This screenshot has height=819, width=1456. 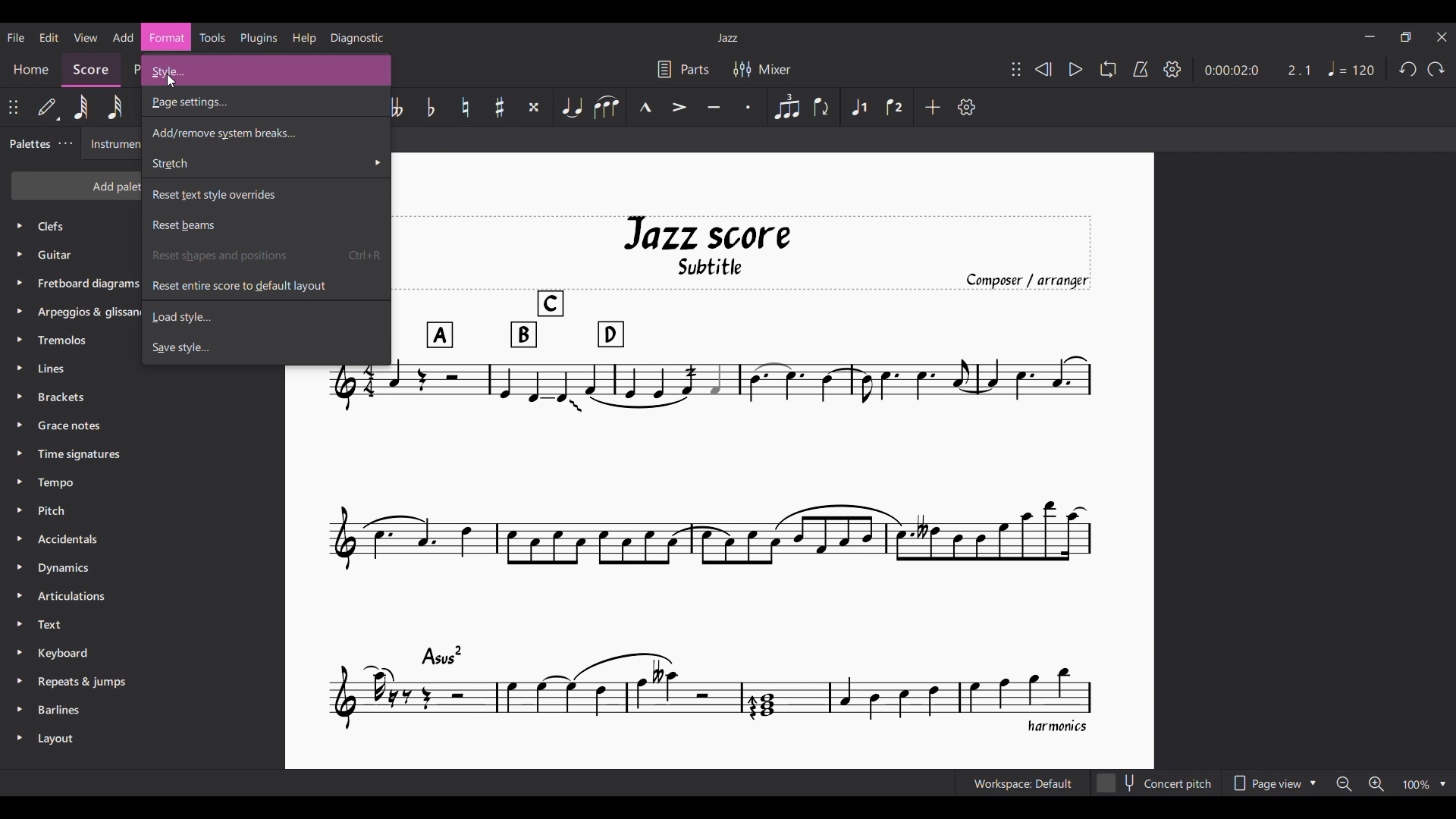 I want to click on Page view options, so click(x=1274, y=783).